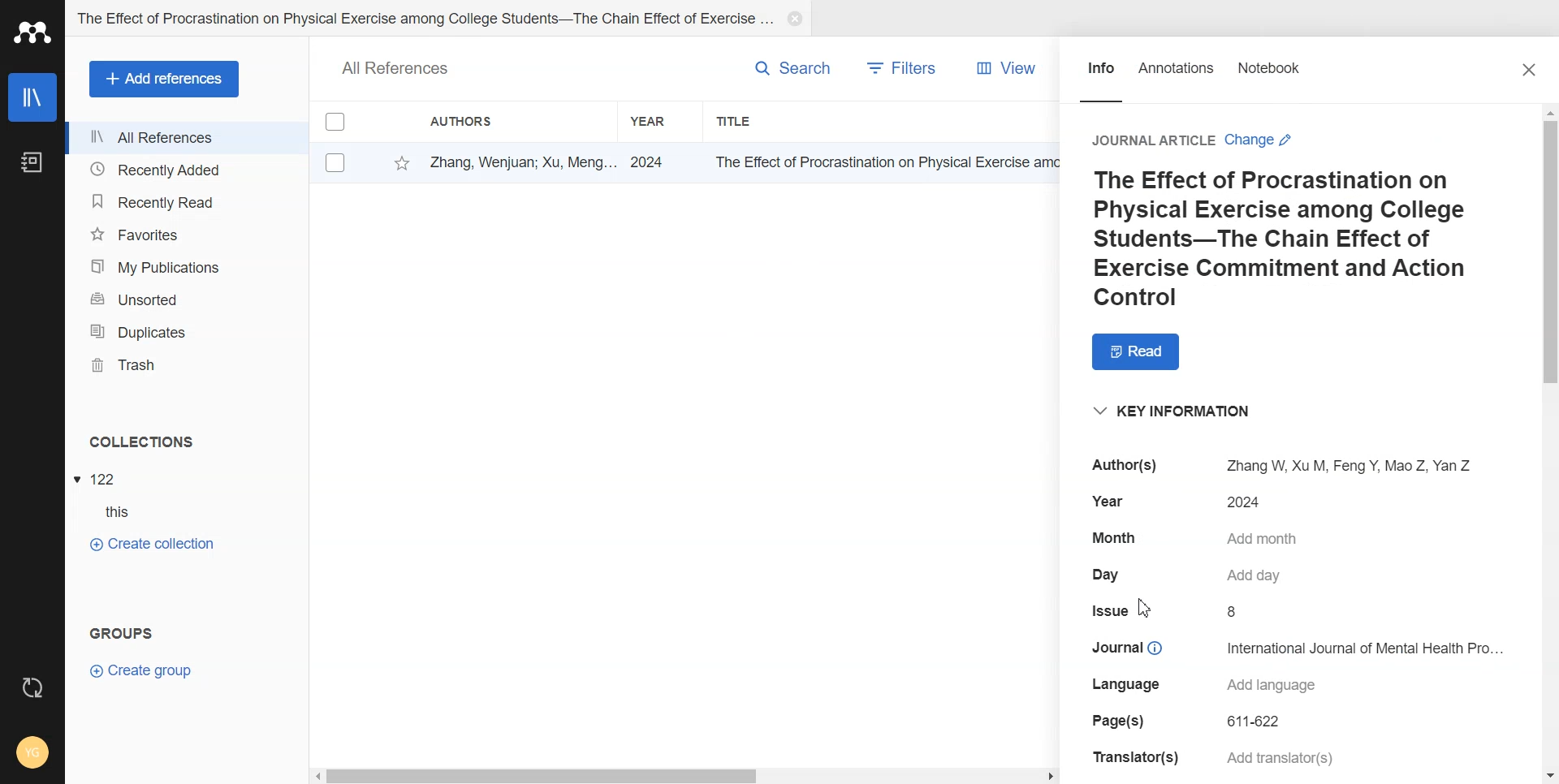  What do you see at coordinates (396, 67) in the screenshot?
I see `Text` at bounding box center [396, 67].